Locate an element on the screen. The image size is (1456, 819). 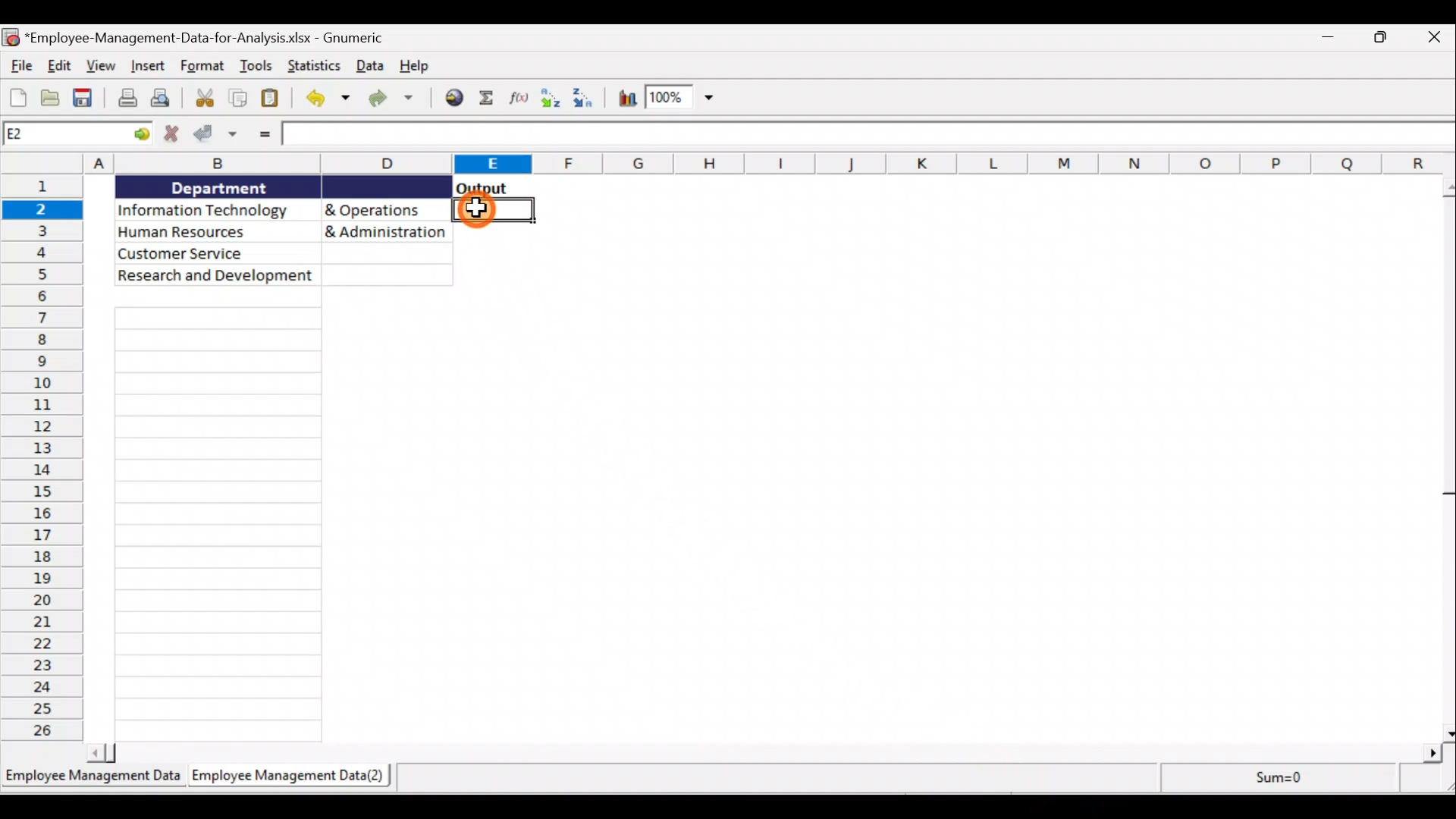
Redo undone action is located at coordinates (397, 100).